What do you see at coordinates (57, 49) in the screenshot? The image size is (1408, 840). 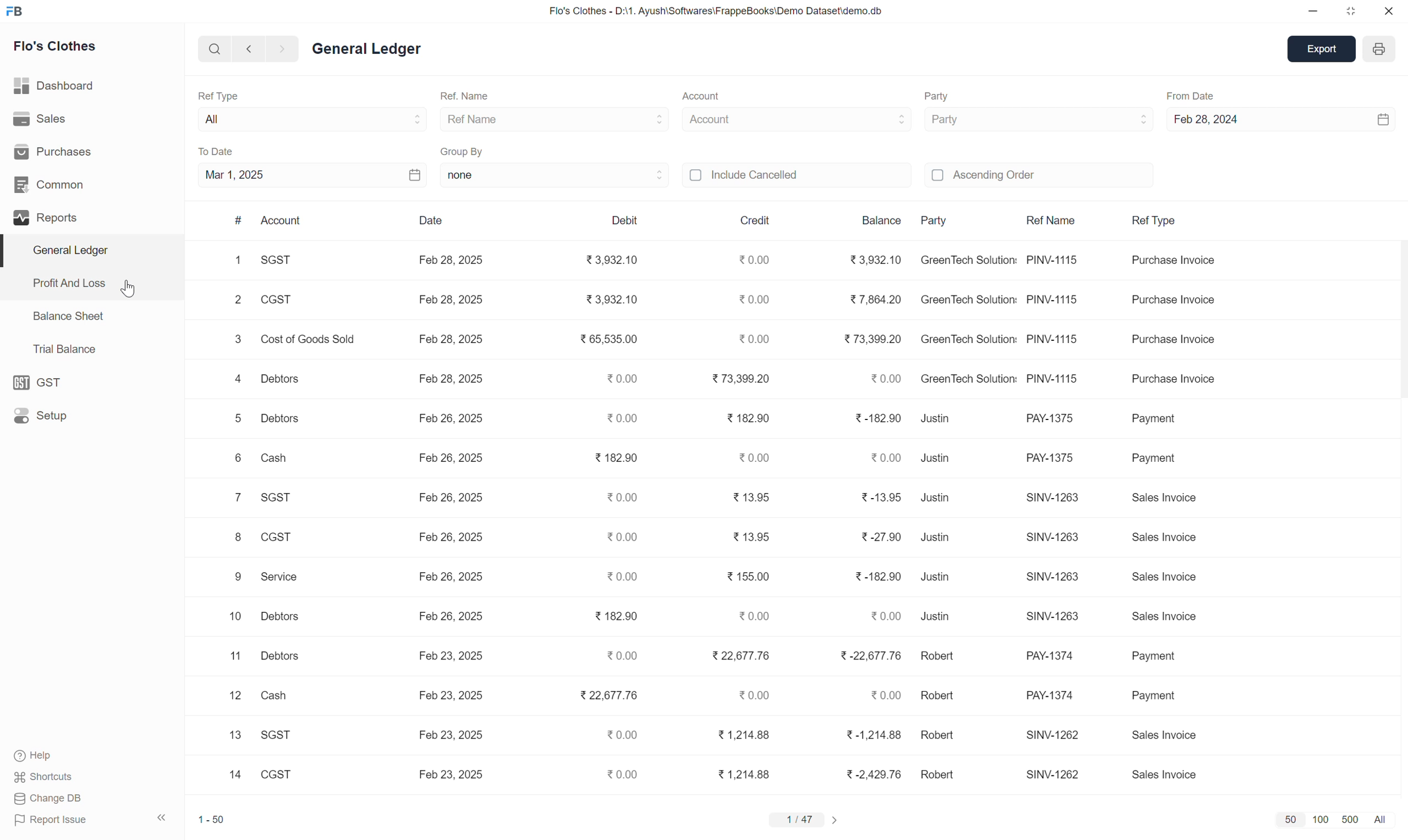 I see `Flo's Clothes` at bounding box center [57, 49].